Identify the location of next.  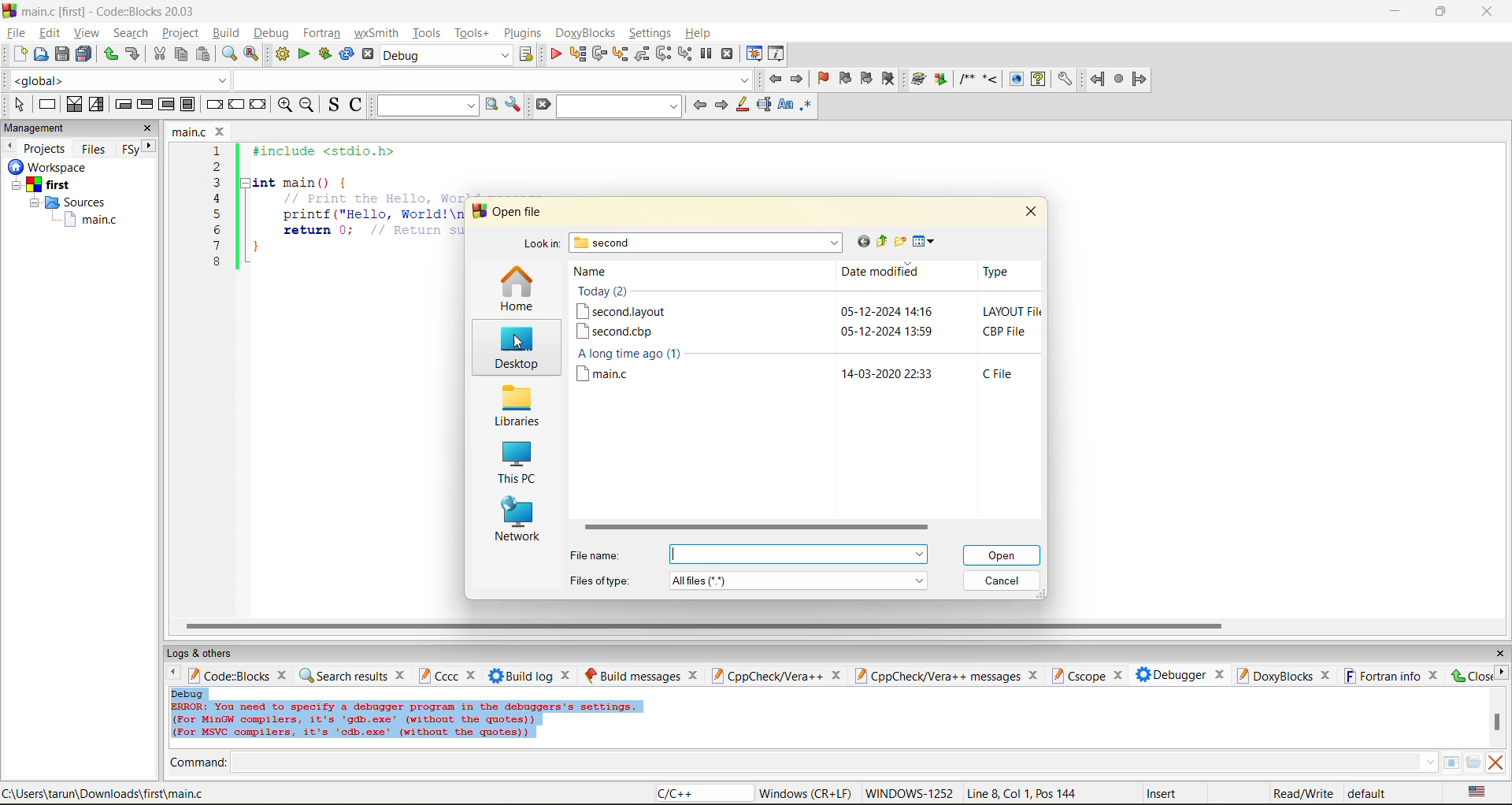
(150, 146).